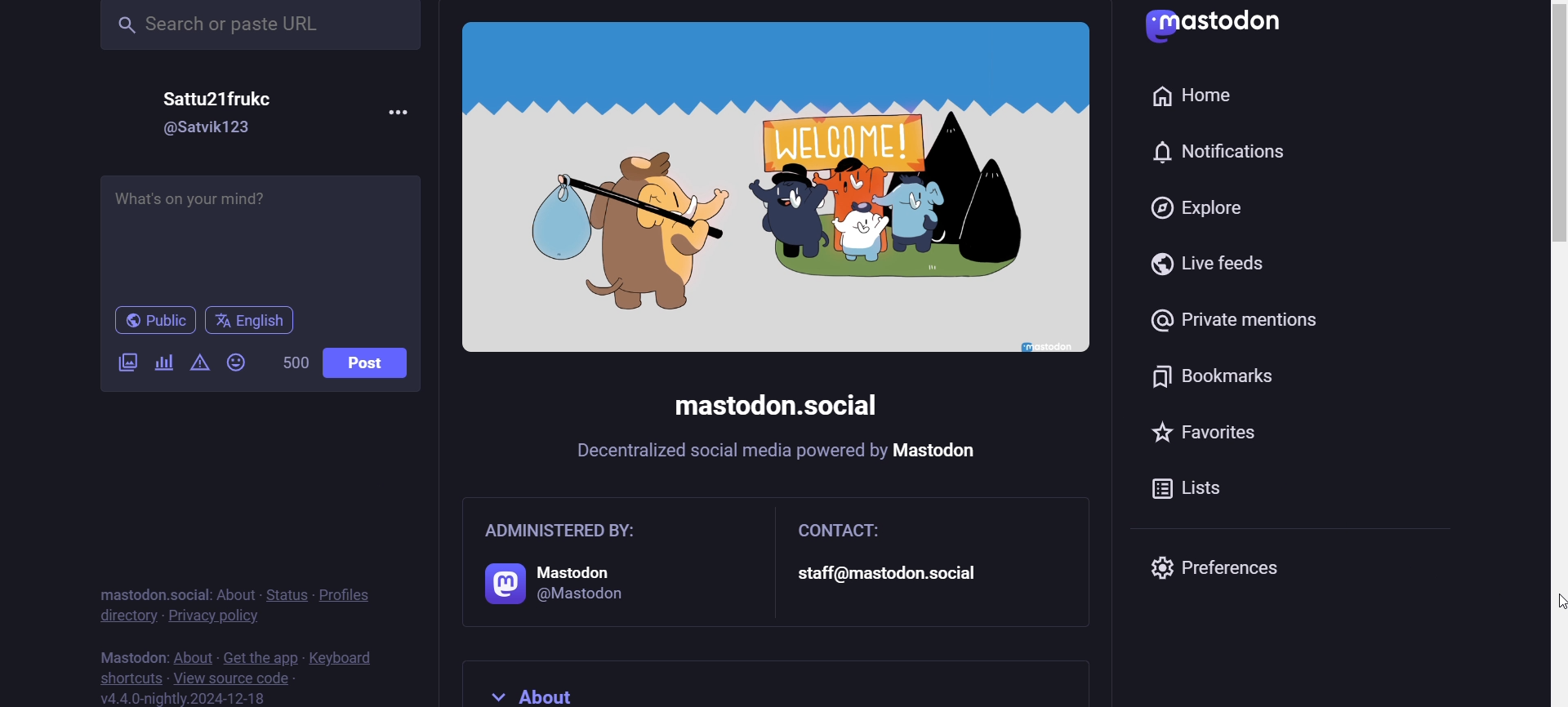  What do you see at coordinates (126, 618) in the screenshot?
I see `directory` at bounding box center [126, 618].